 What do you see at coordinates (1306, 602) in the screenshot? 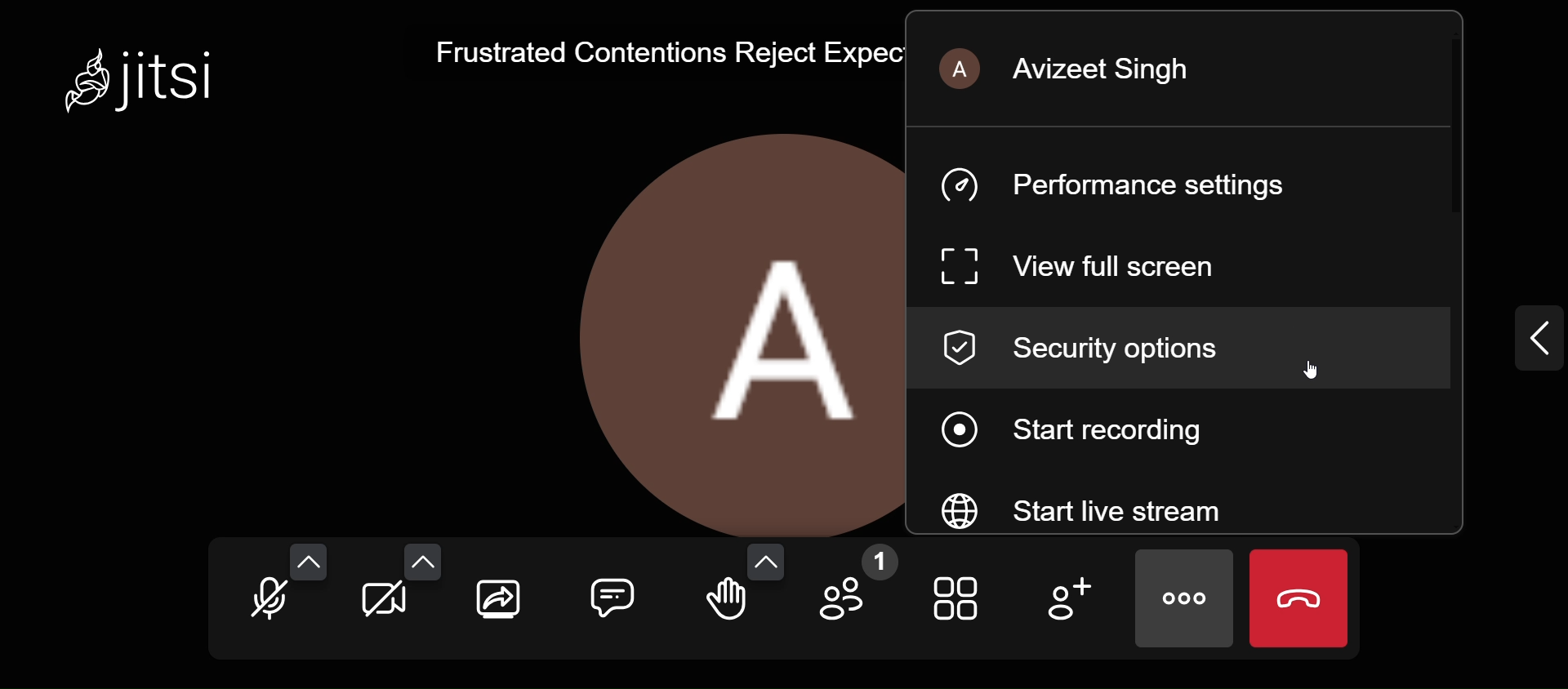
I see `end call` at bounding box center [1306, 602].